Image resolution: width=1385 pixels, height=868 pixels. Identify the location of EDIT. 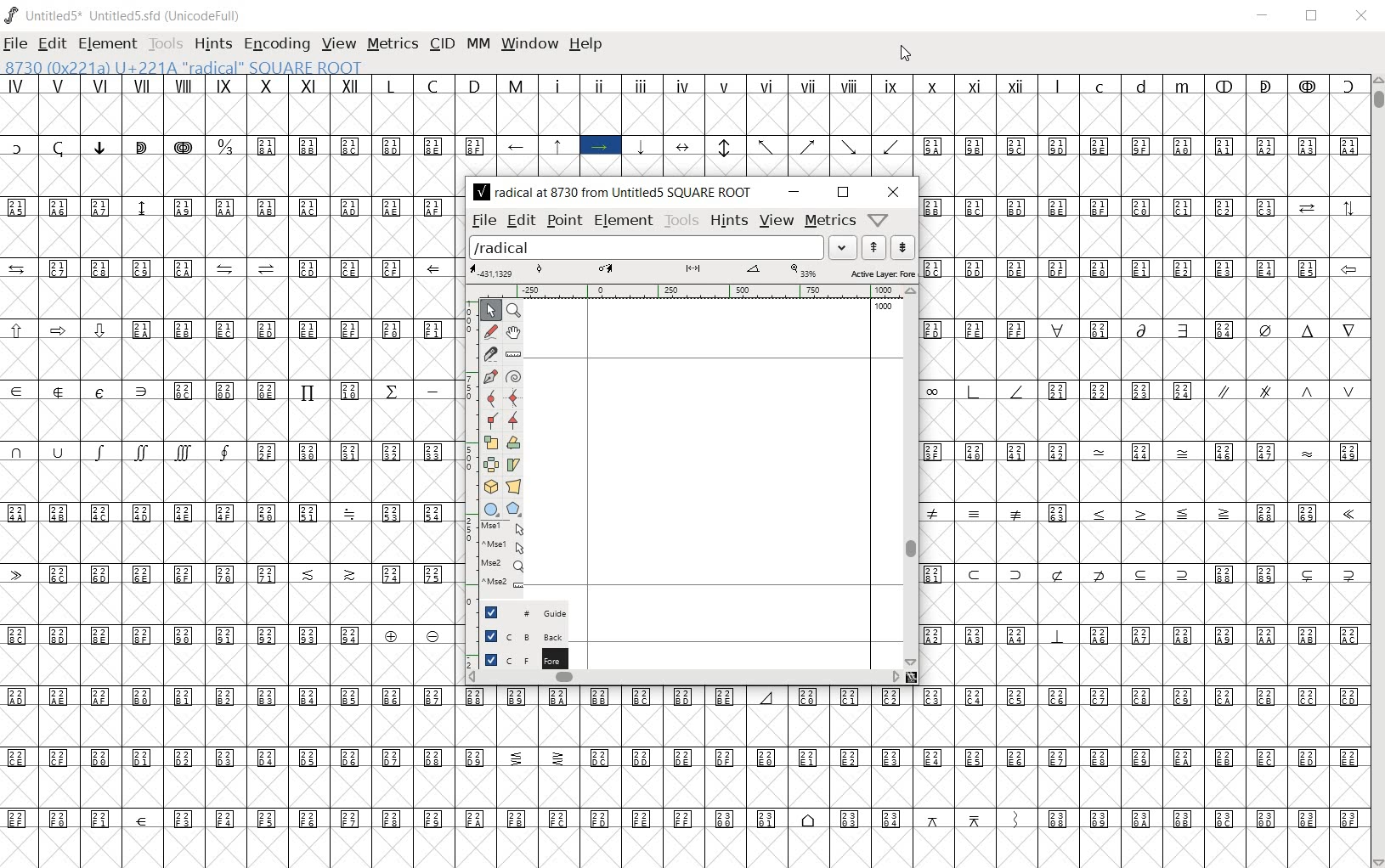
(50, 43).